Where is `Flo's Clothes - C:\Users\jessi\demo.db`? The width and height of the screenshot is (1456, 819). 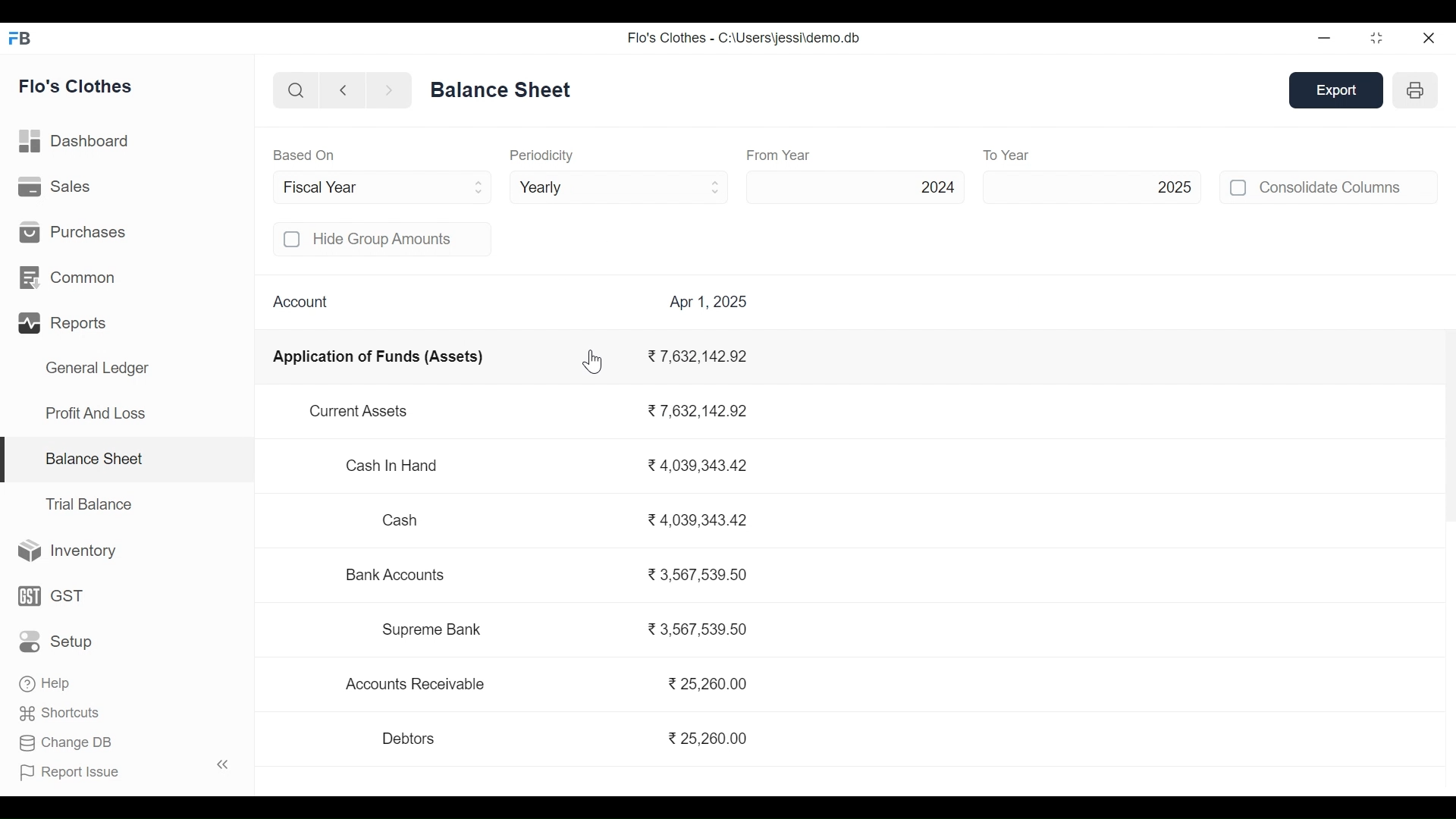 Flo's Clothes - C:\Users\jessi\demo.db is located at coordinates (743, 38).